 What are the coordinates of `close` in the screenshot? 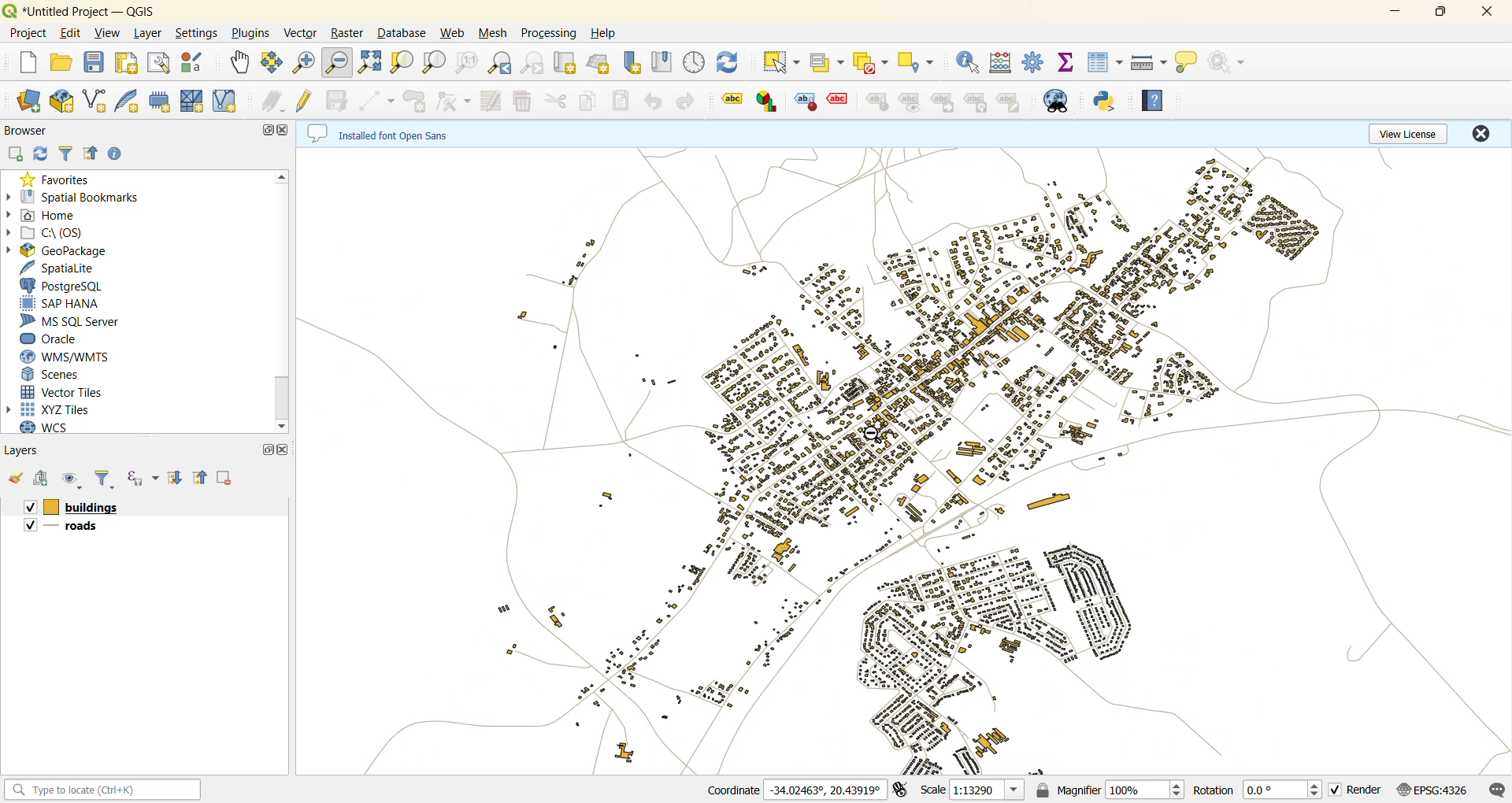 It's located at (1484, 130).